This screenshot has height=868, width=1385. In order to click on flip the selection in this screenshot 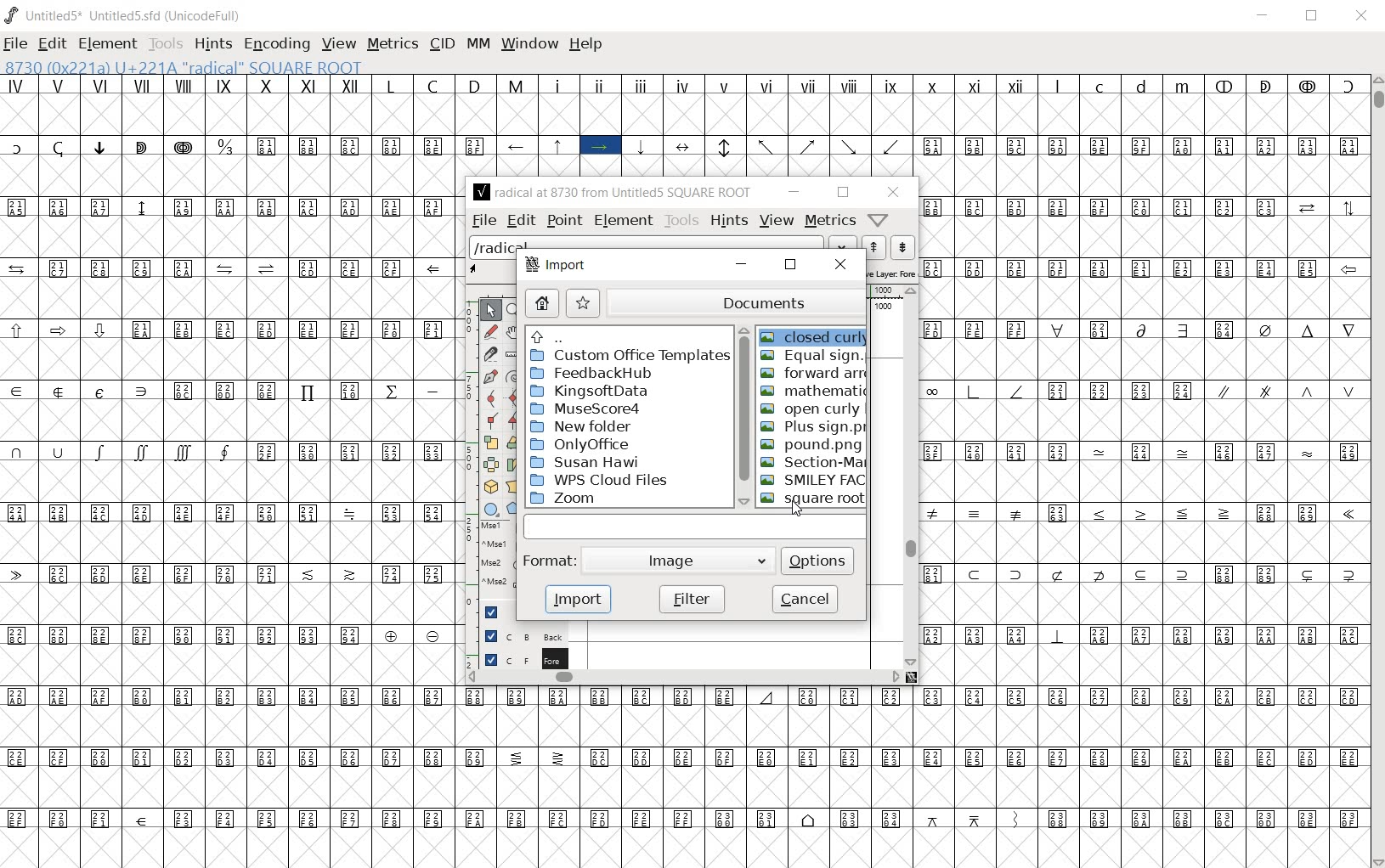, I will do `click(490, 465)`.